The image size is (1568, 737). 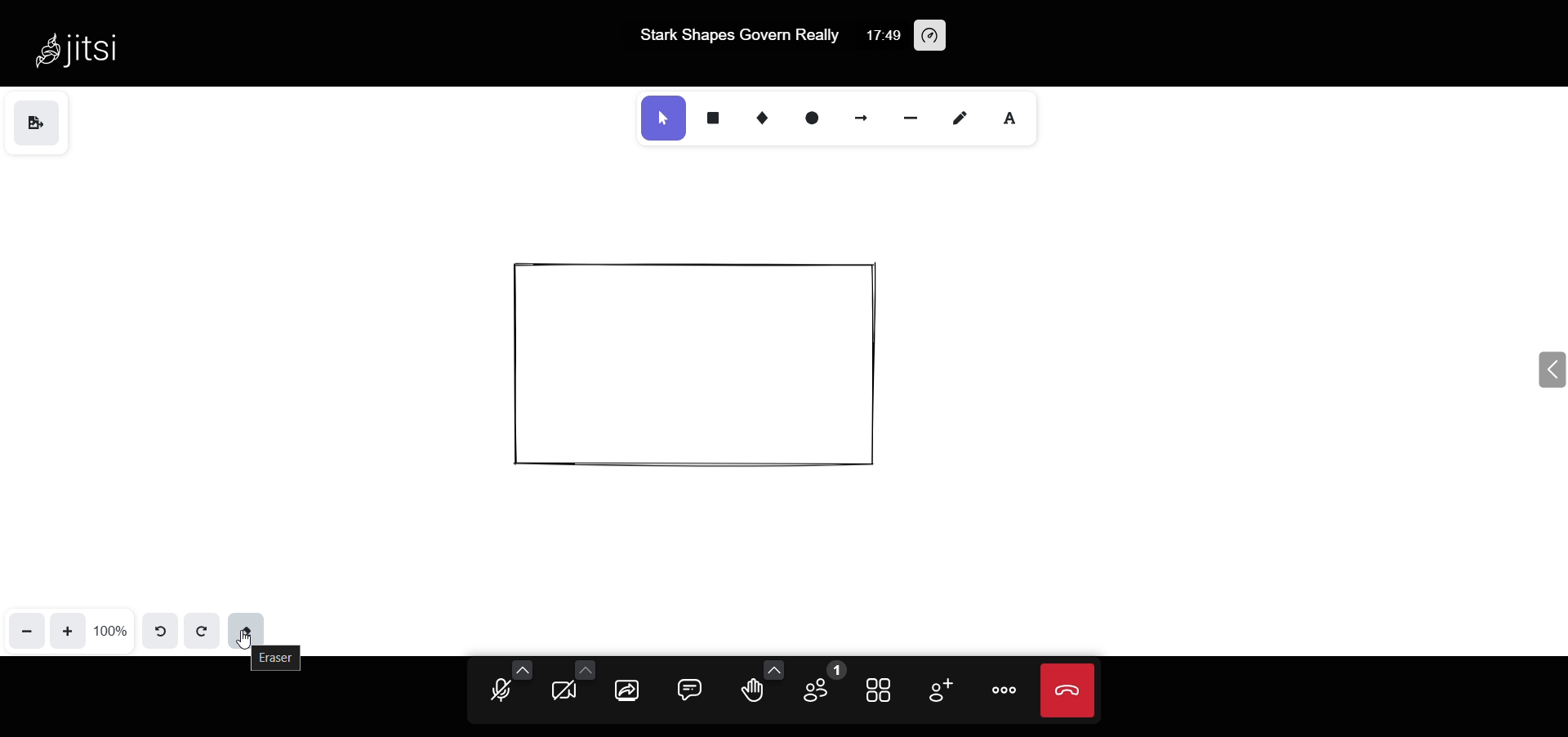 What do you see at coordinates (810, 118) in the screenshot?
I see `ellipse` at bounding box center [810, 118].